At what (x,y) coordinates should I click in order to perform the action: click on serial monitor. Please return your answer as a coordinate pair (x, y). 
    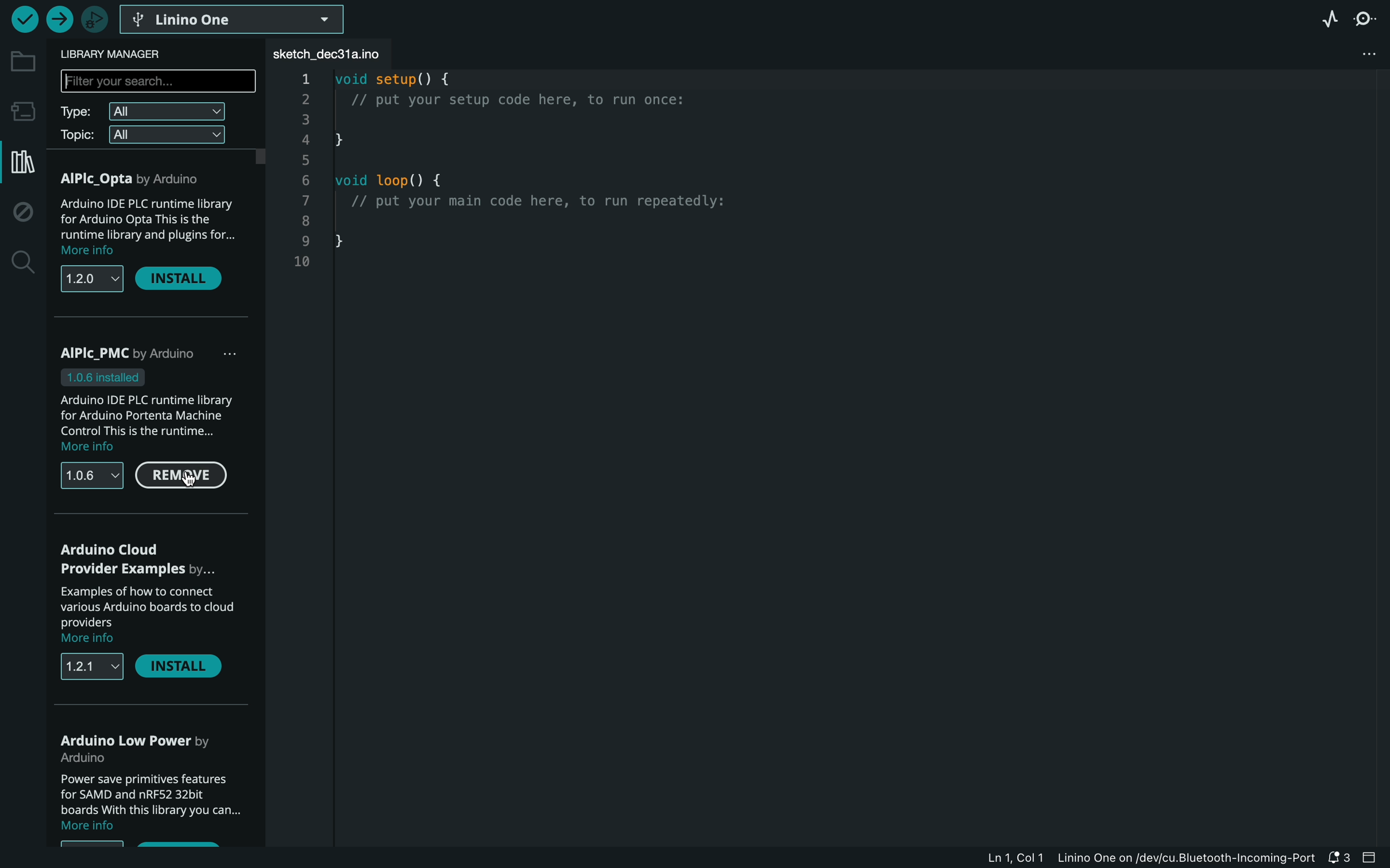
    Looking at the image, I should click on (1368, 22).